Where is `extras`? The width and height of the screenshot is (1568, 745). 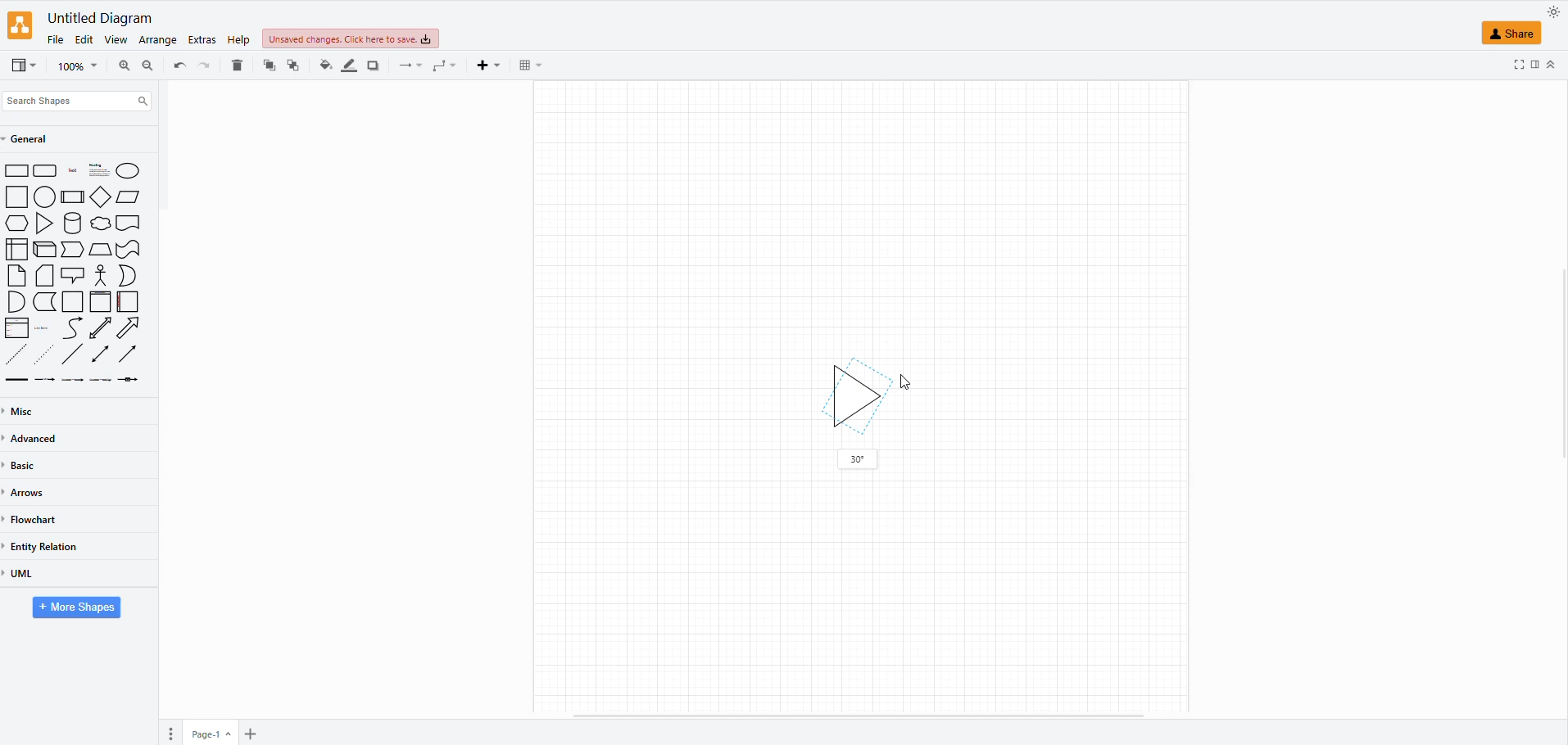
extras is located at coordinates (200, 40).